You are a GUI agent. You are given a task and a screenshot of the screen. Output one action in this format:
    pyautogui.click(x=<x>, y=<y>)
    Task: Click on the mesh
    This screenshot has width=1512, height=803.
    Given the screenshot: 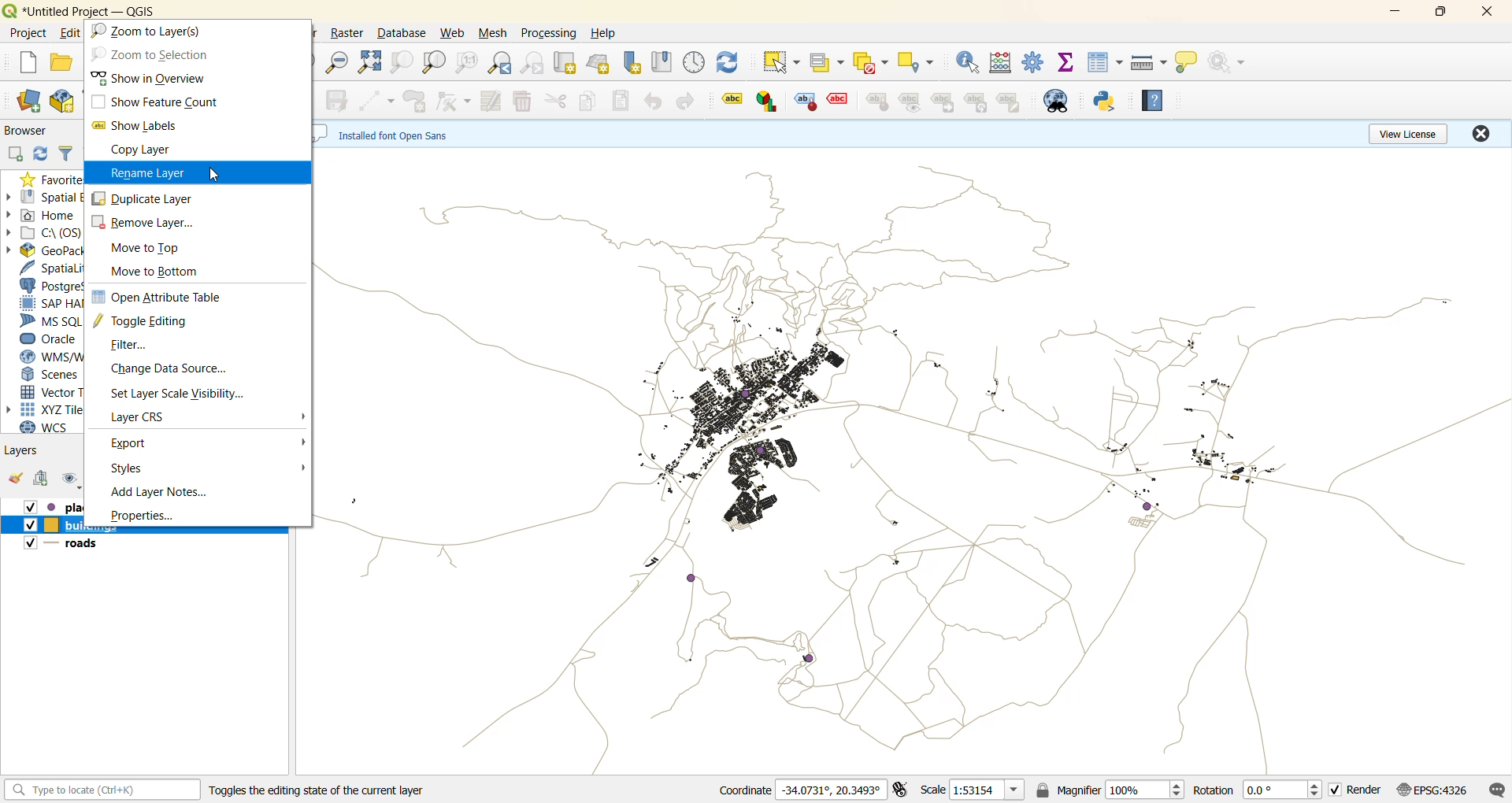 What is the action you would take?
    pyautogui.click(x=495, y=34)
    